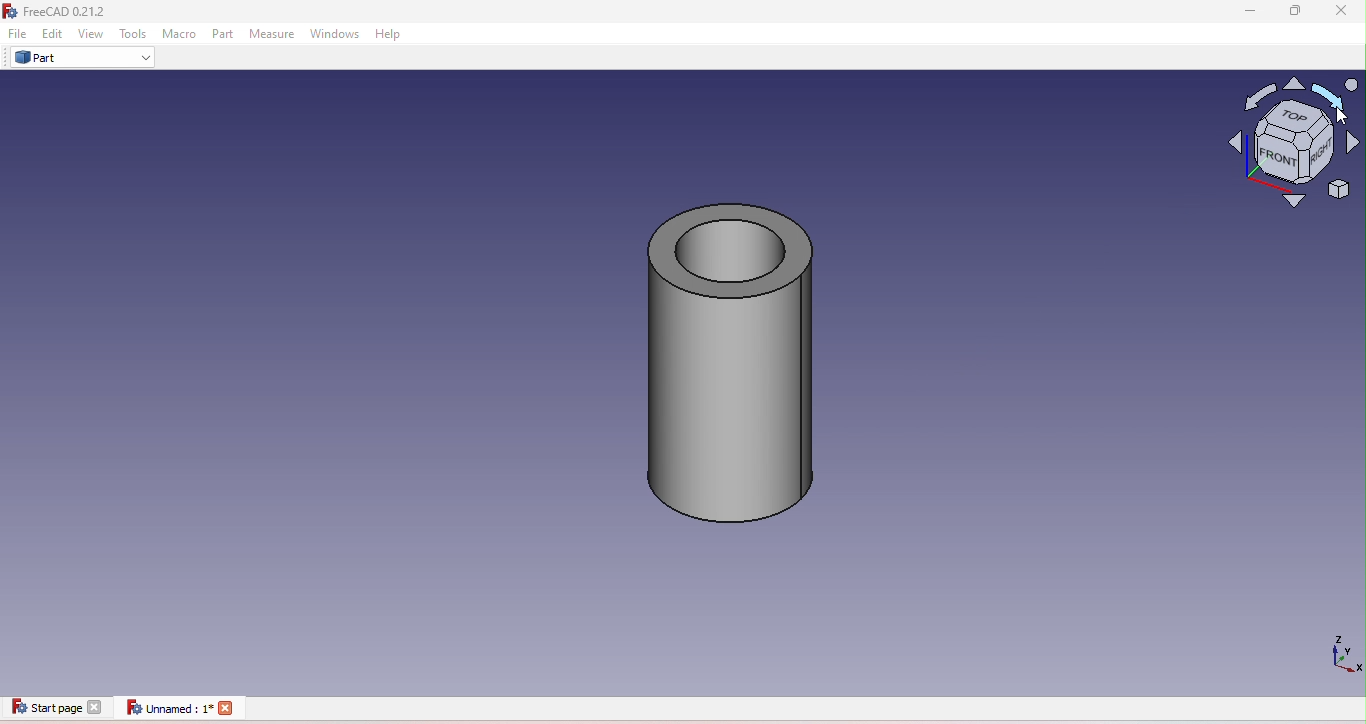  What do you see at coordinates (92, 33) in the screenshot?
I see `View` at bounding box center [92, 33].